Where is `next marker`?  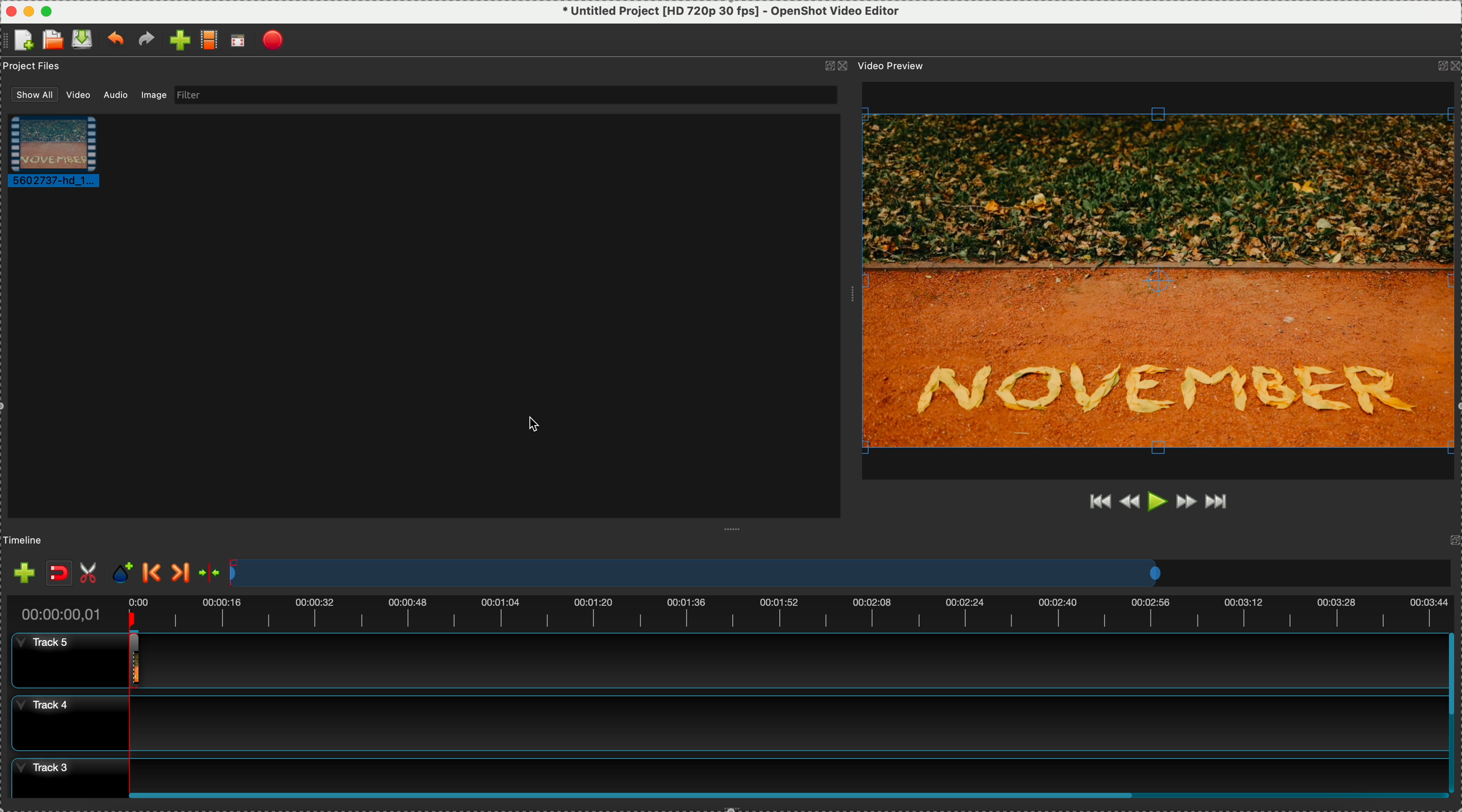 next marker is located at coordinates (182, 573).